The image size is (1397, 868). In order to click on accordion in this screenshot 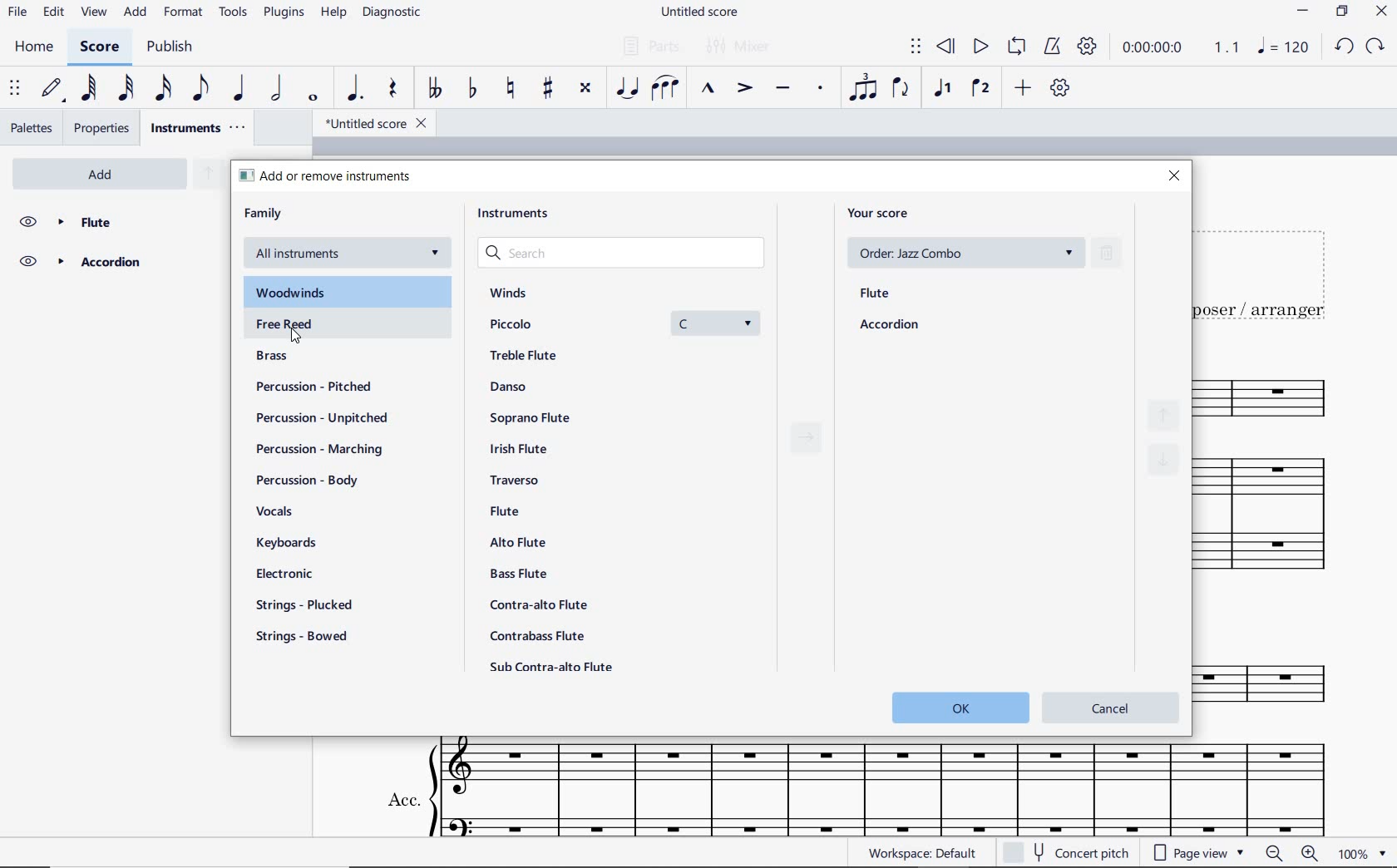, I will do `click(890, 326)`.